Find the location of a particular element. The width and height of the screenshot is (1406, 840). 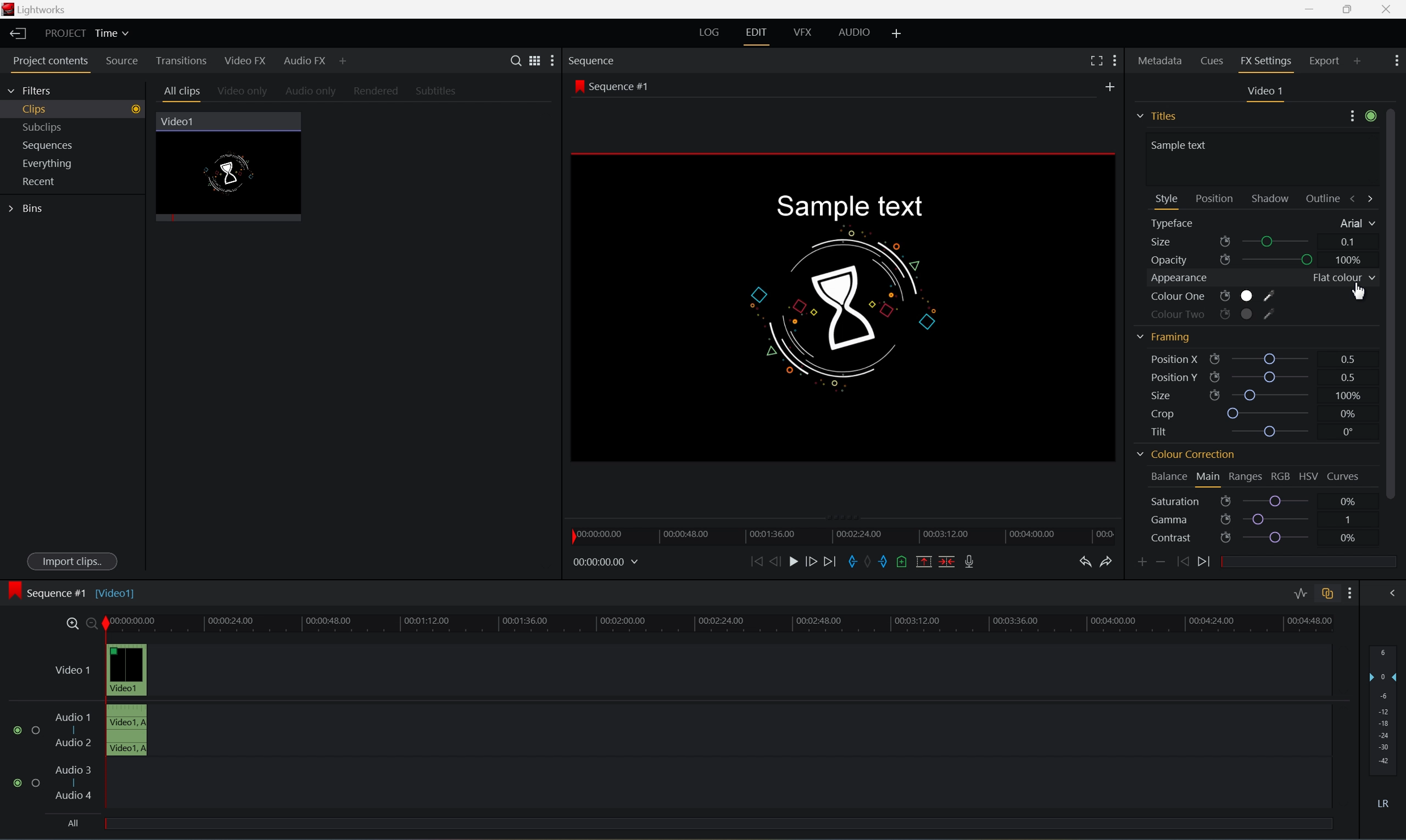

move forward is located at coordinates (835, 561).